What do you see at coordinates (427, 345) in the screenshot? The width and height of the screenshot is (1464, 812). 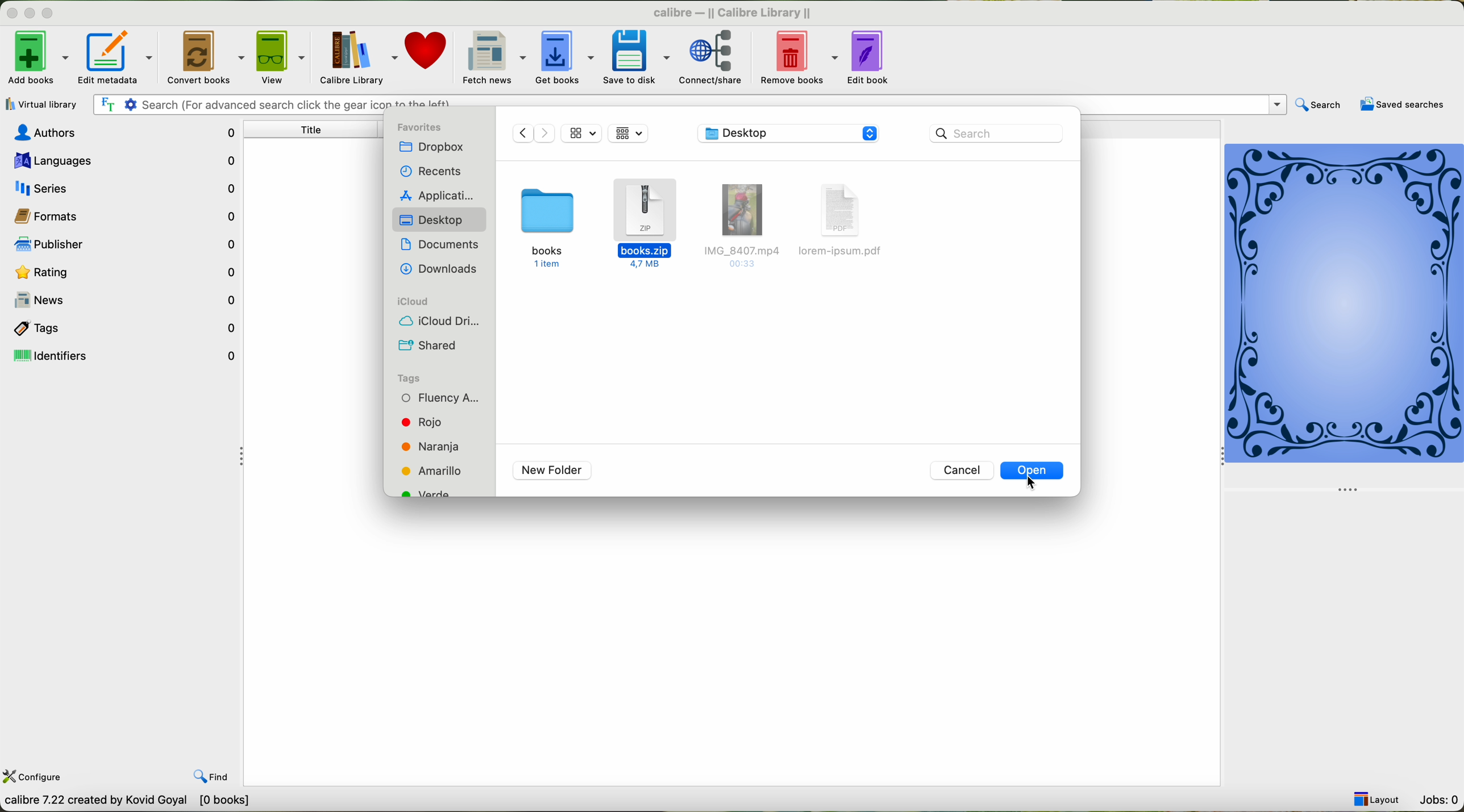 I see `shared` at bounding box center [427, 345].